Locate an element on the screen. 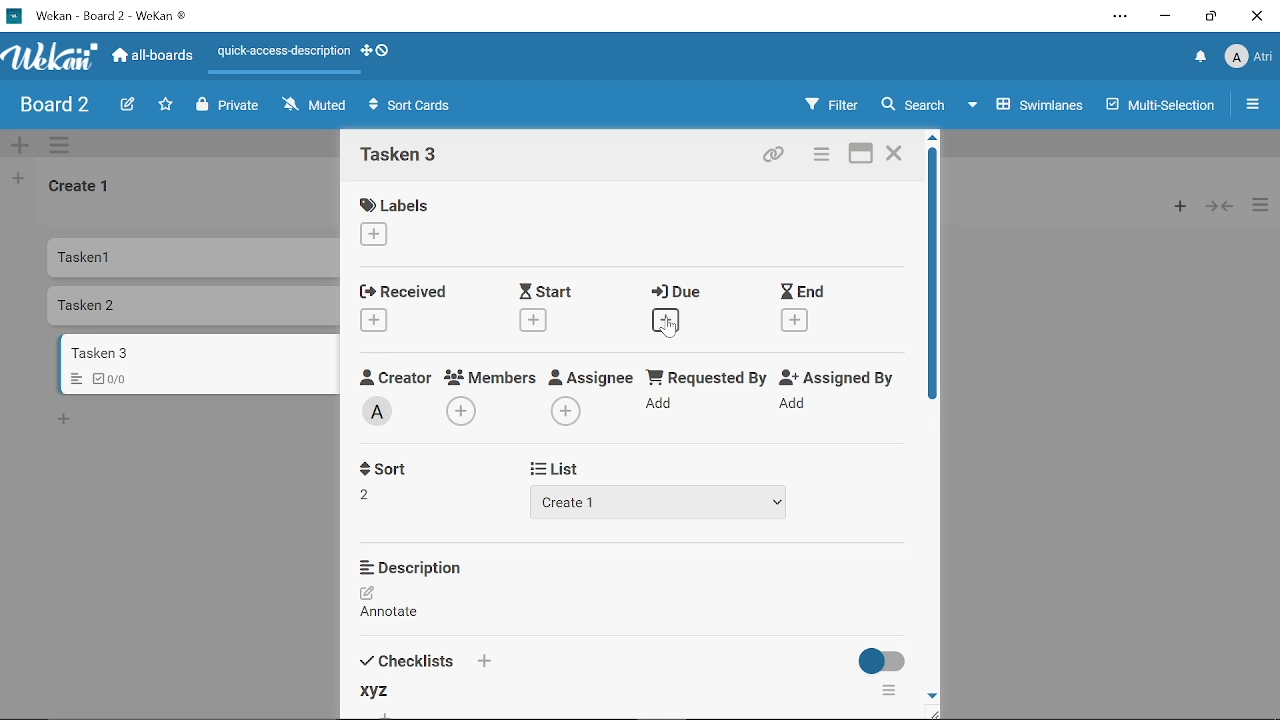  Settings and more is located at coordinates (1120, 16).